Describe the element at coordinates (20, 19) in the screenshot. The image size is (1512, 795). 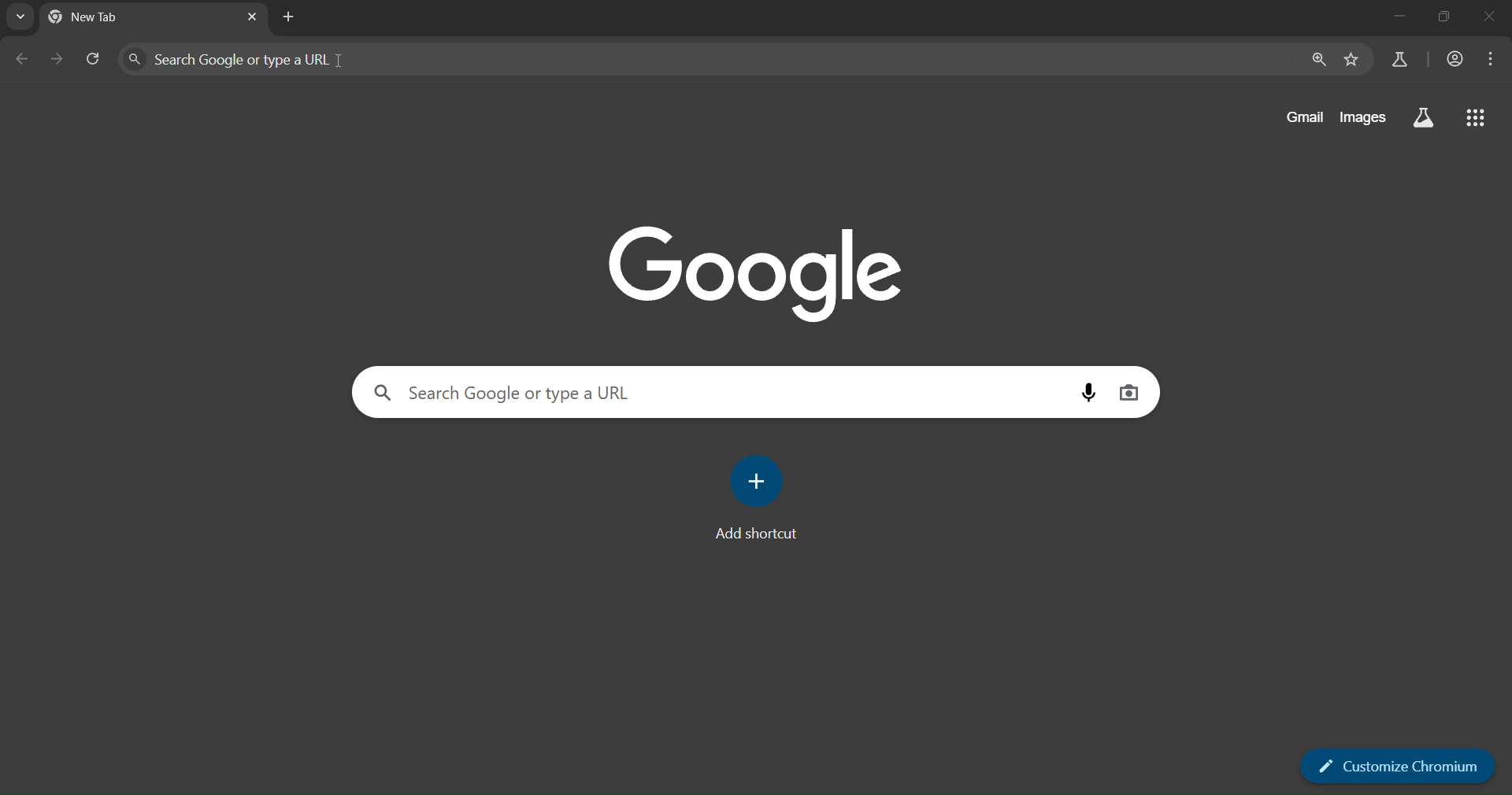
I see `search tabs` at that location.